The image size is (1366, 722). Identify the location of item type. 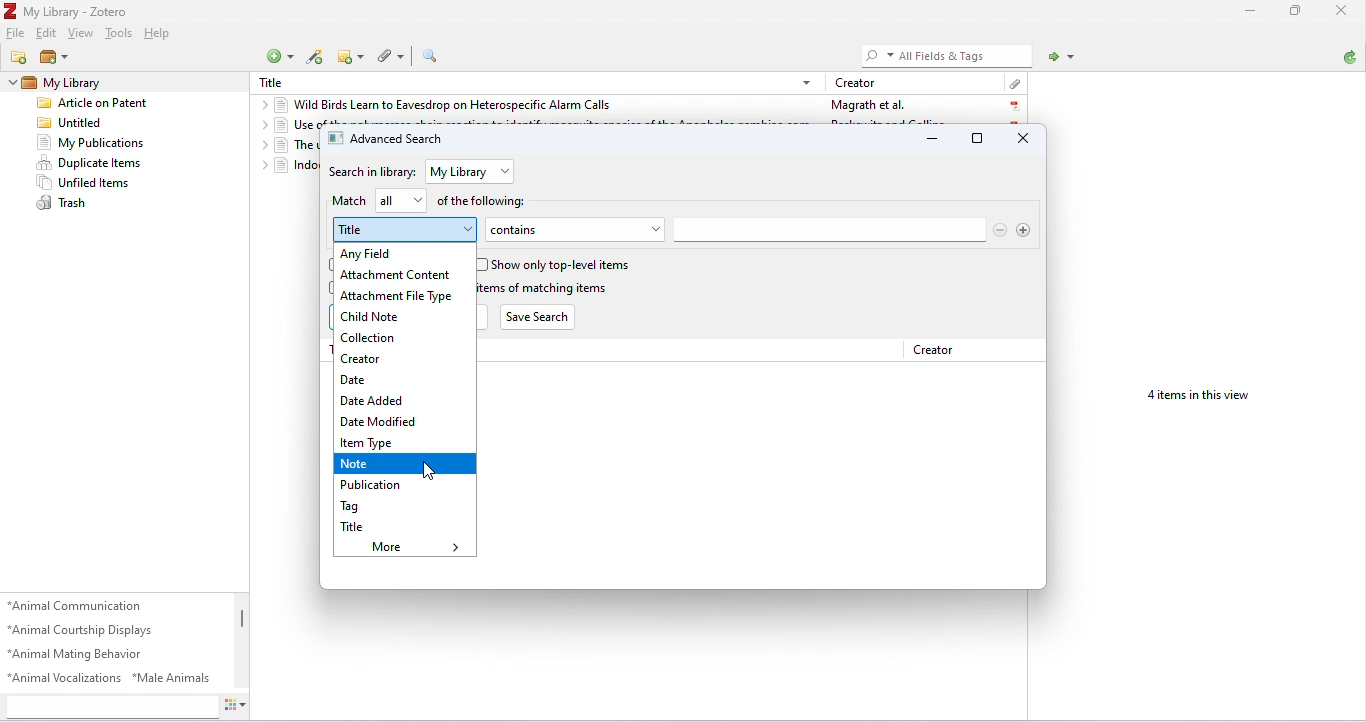
(370, 444).